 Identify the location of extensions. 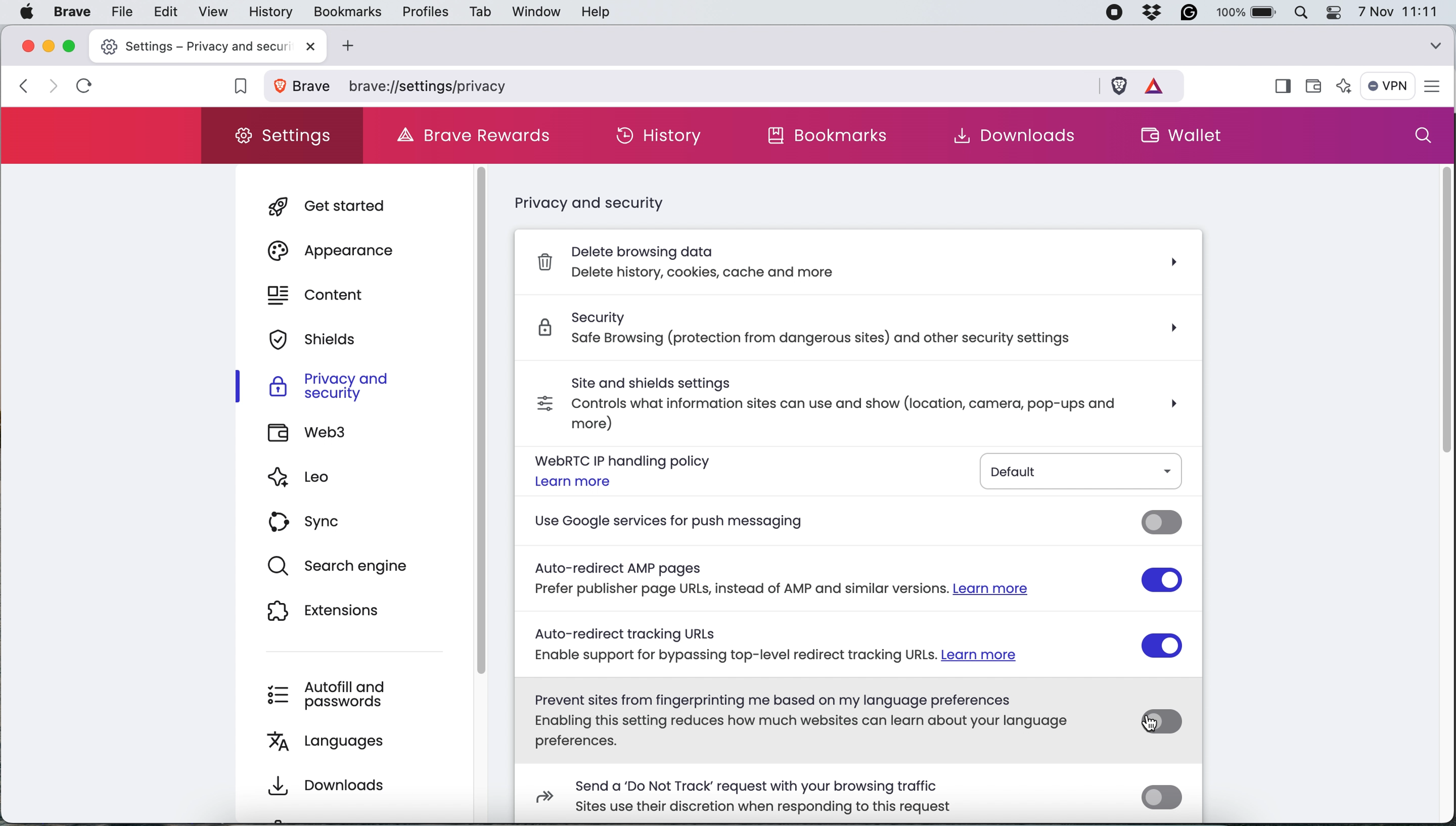
(335, 610).